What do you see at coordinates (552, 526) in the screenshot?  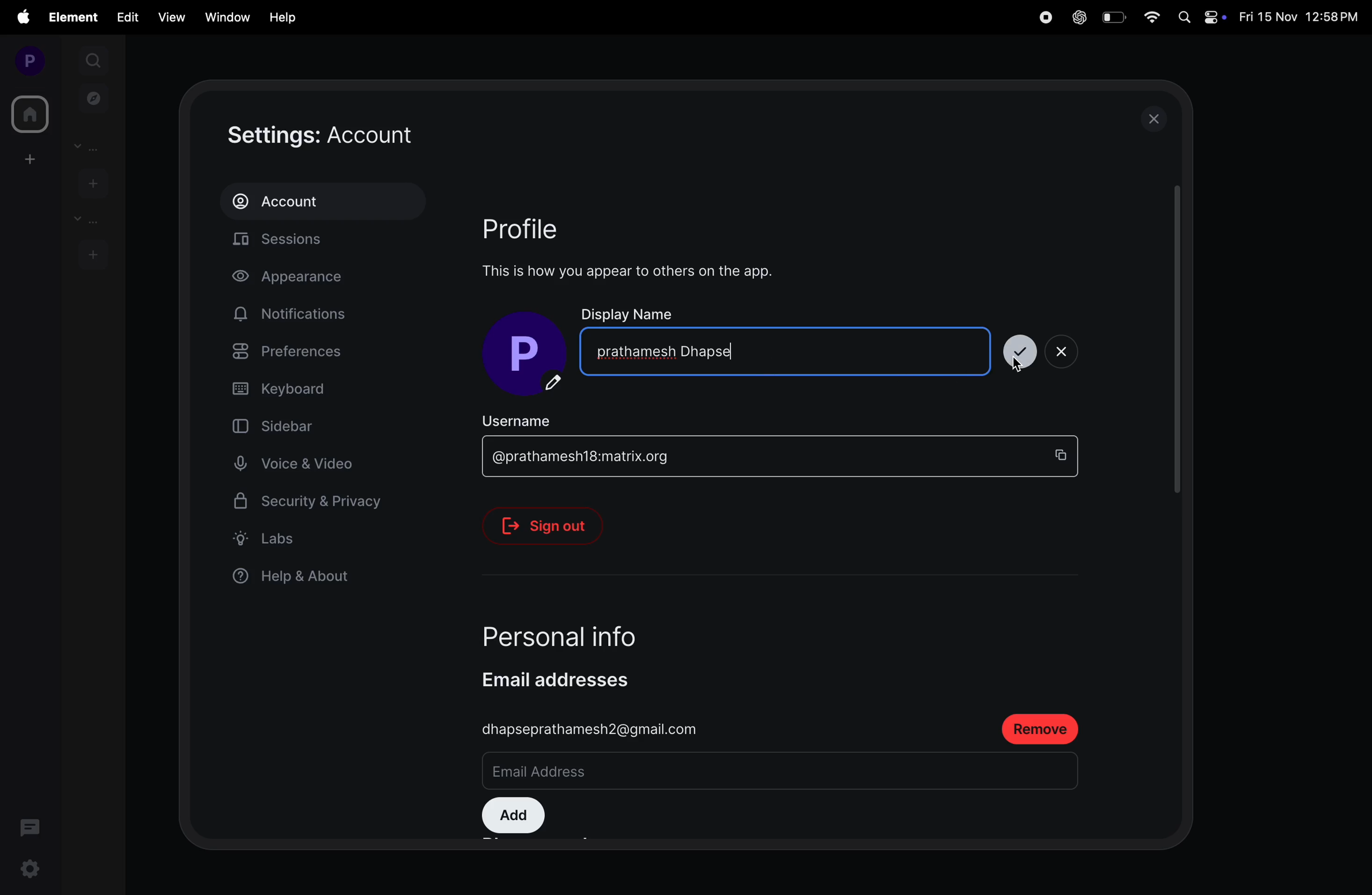 I see `sign out` at bounding box center [552, 526].